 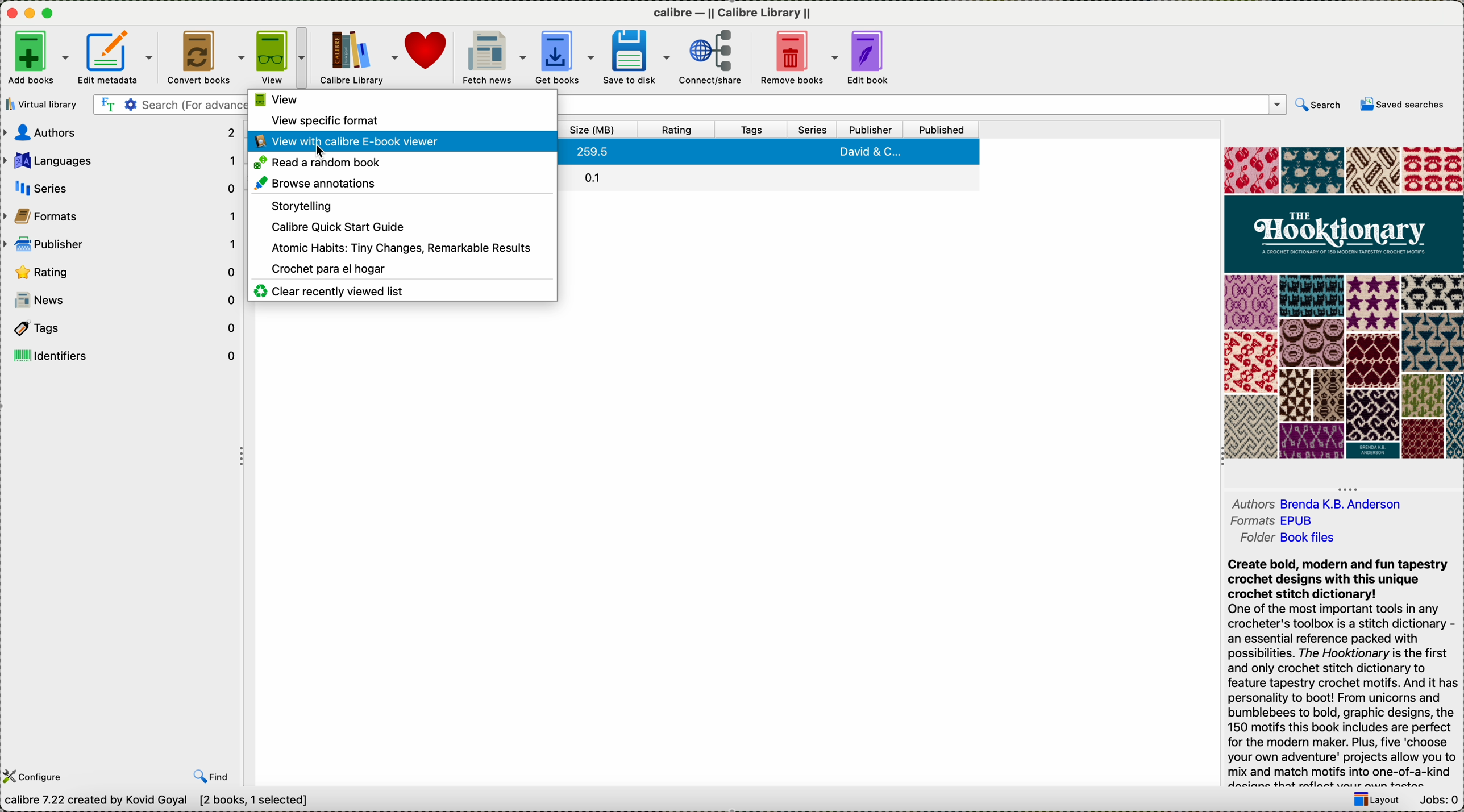 I want to click on configure, so click(x=48, y=768).